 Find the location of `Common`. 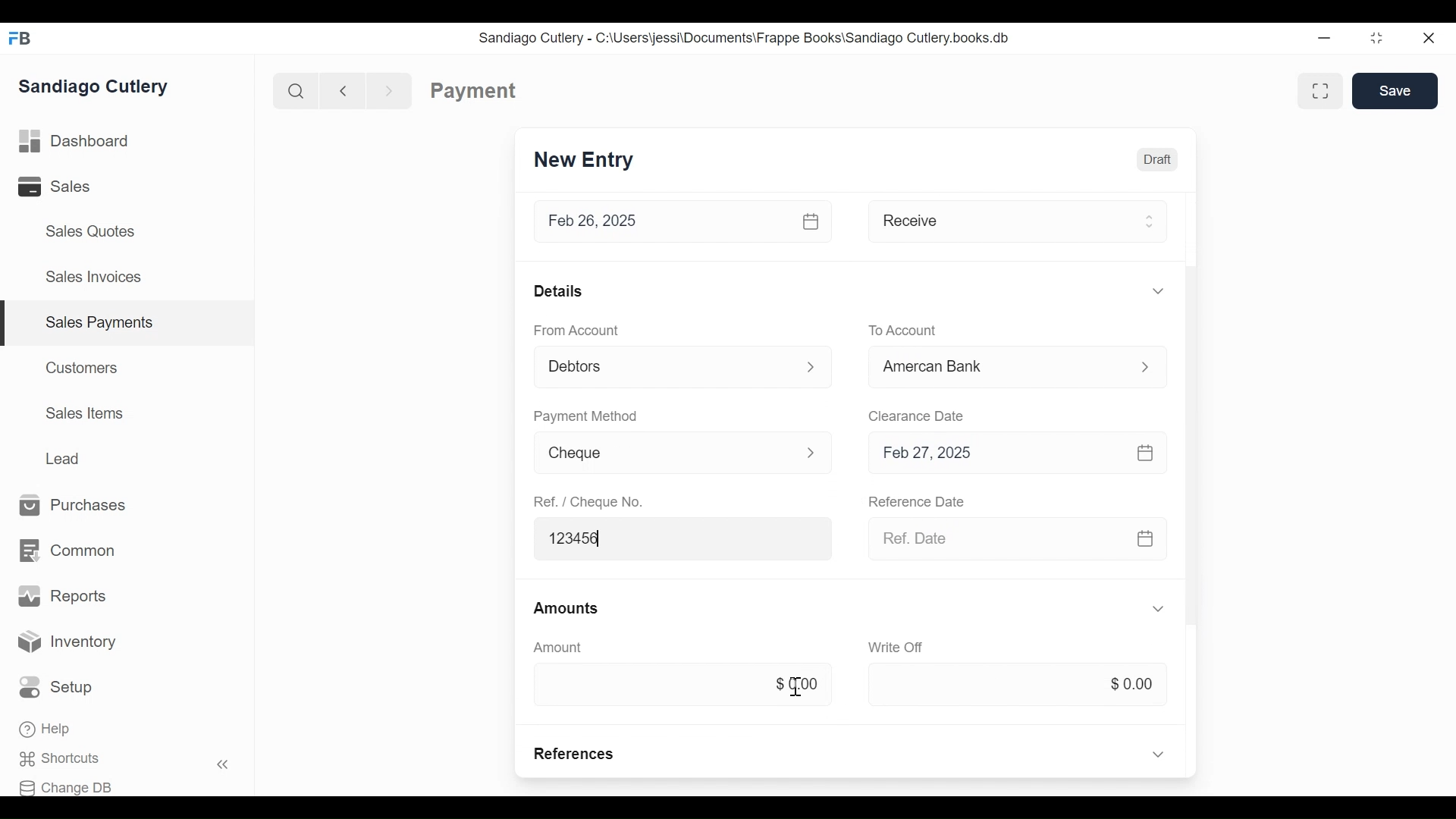

Common is located at coordinates (66, 551).